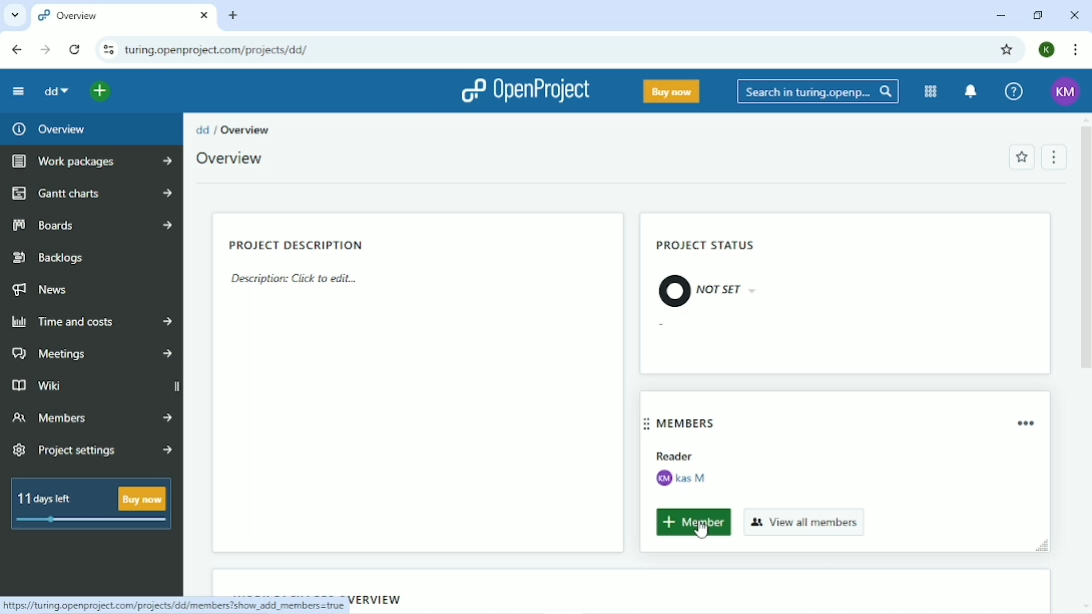 The width and height of the screenshot is (1092, 614). What do you see at coordinates (14, 16) in the screenshot?
I see `Search tabs` at bounding box center [14, 16].